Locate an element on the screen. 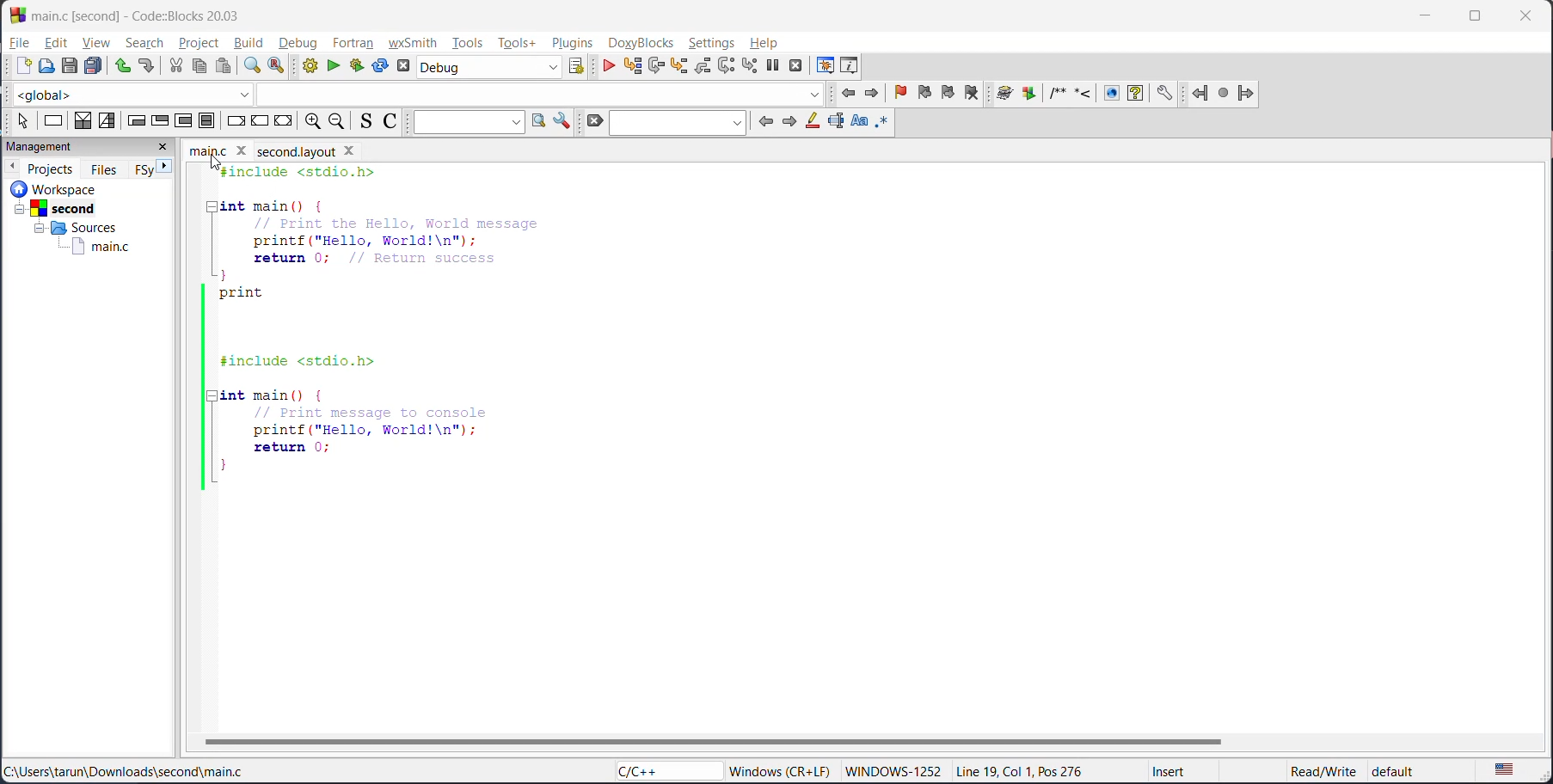 This screenshot has width=1553, height=784. jump back is located at coordinates (851, 95).